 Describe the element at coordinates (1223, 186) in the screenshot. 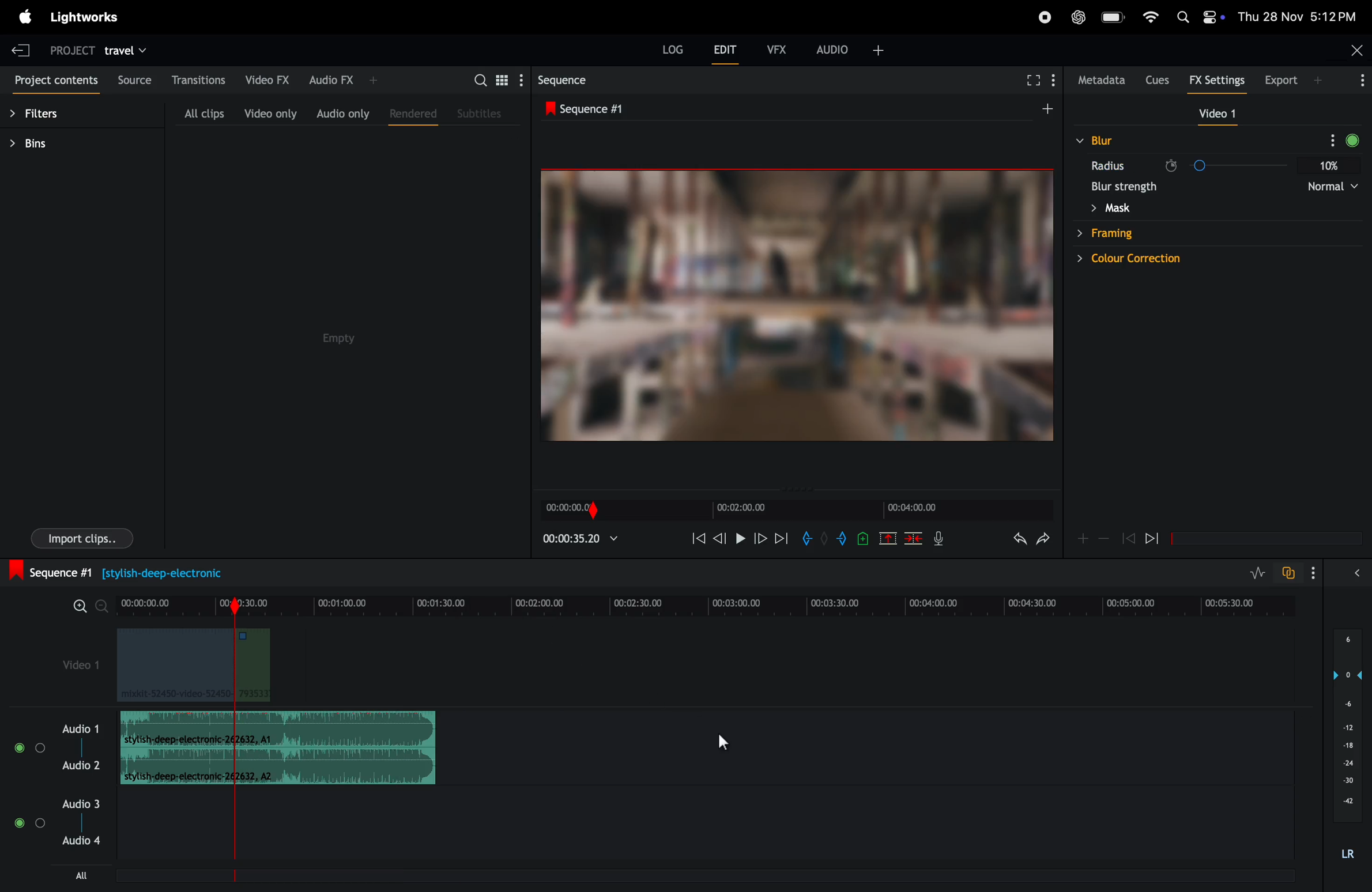

I see `blur strength` at that location.